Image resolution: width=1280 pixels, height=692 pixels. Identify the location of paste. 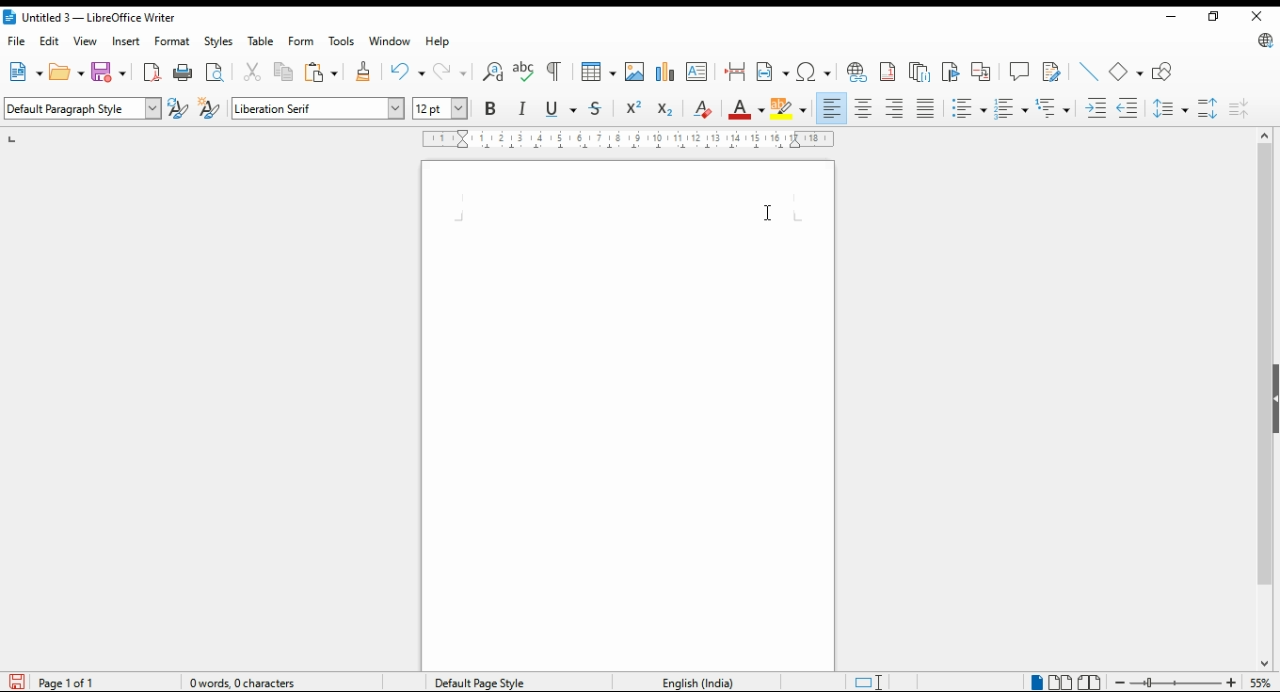
(322, 72).